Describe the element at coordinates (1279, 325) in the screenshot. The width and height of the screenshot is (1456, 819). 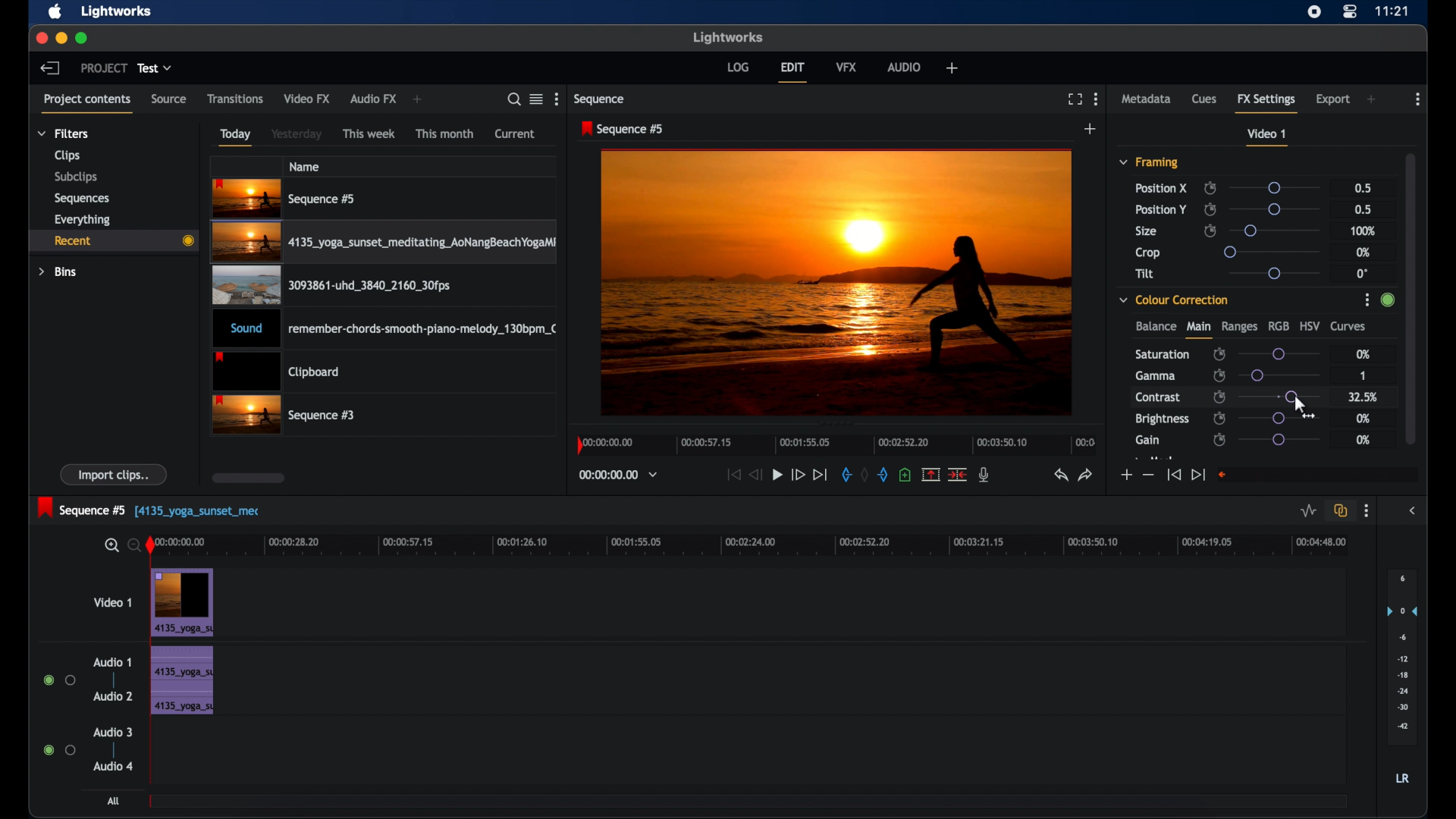
I see `rgb` at that location.